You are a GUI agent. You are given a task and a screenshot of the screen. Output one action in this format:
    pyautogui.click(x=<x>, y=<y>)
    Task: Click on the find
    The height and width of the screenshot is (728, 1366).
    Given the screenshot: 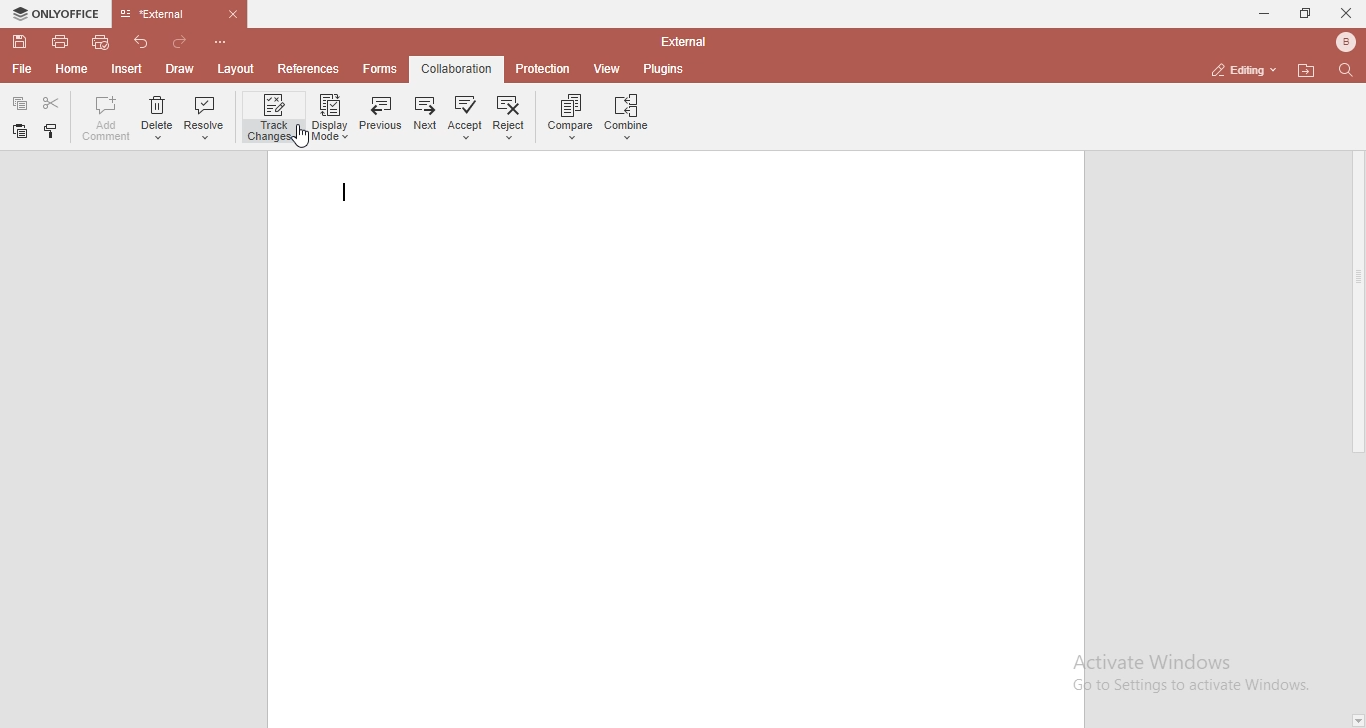 What is the action you would take?
    pyautogui.click(x=1348, y=71)
    